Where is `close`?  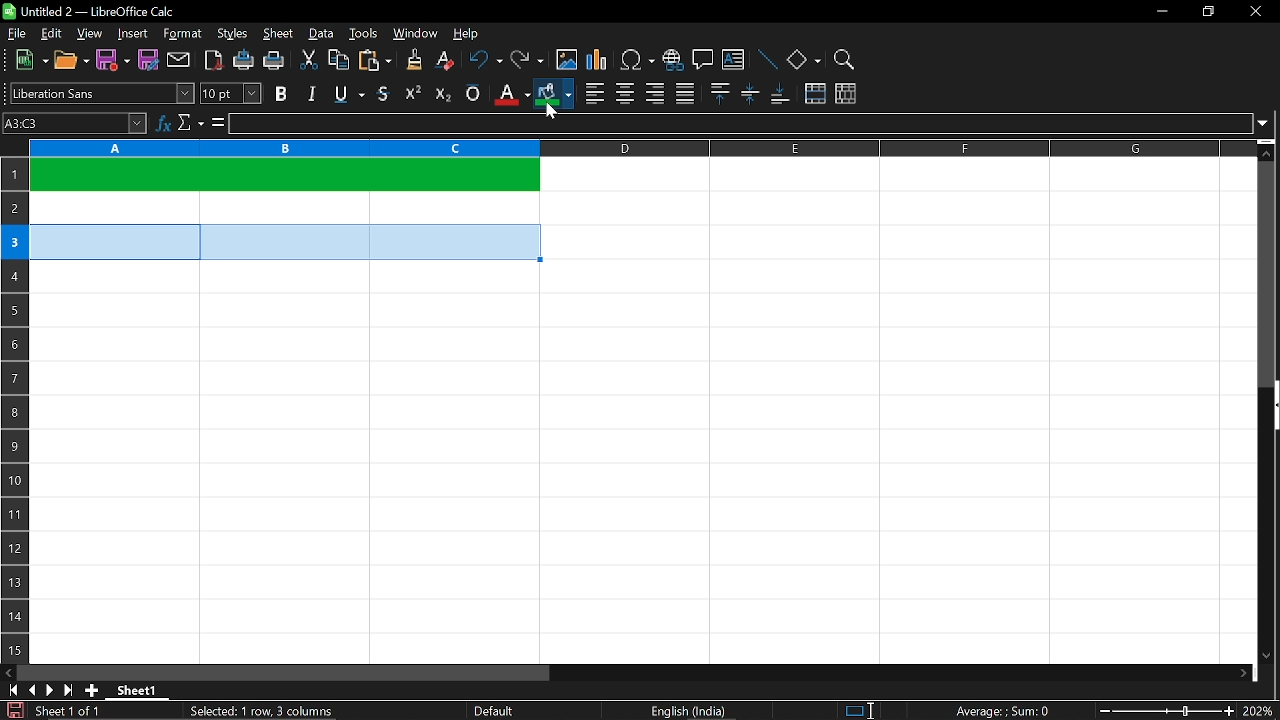 close is located at coordinates (1257, 12).